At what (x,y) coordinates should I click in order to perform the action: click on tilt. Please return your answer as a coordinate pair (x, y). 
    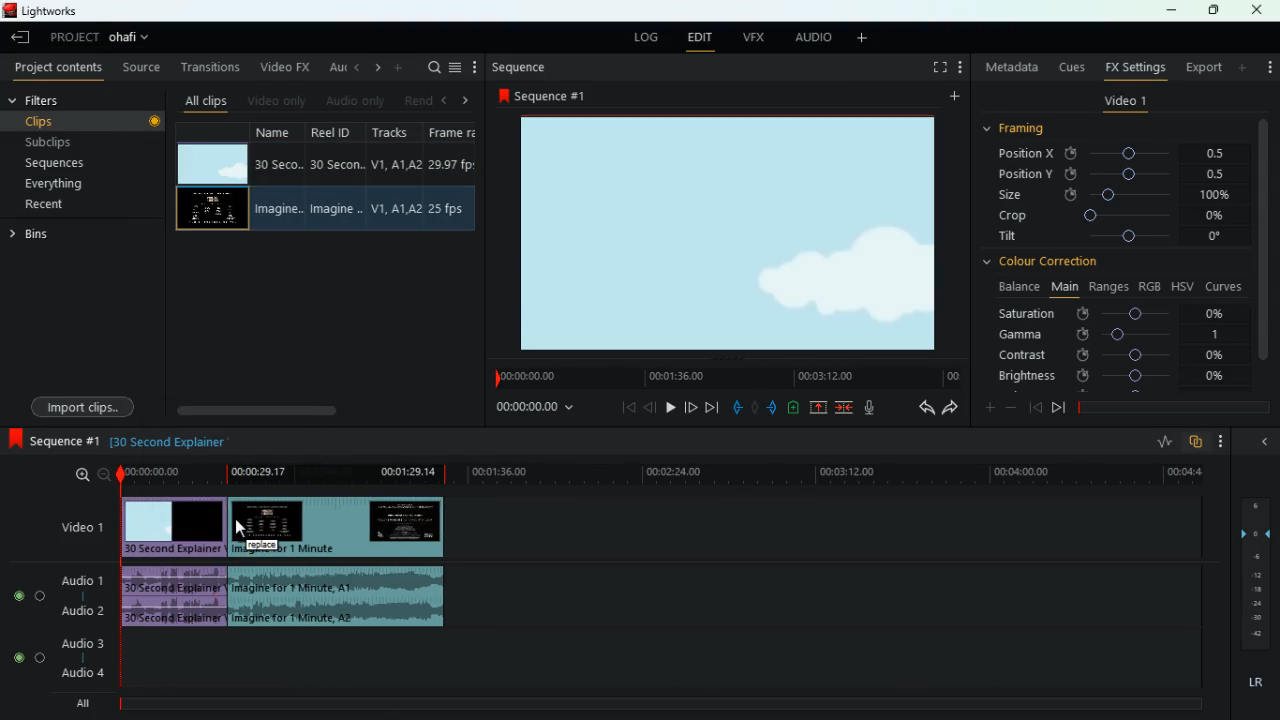
    Looking at the image, I should click on (1113, 238).